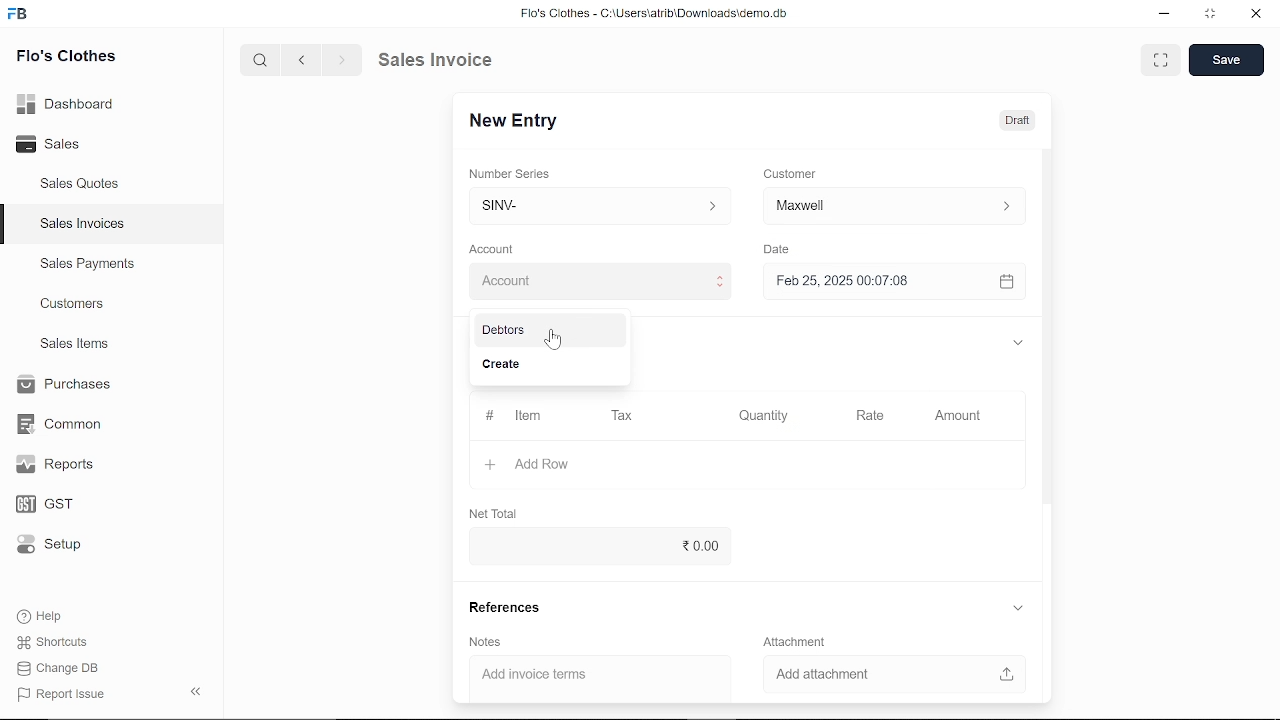  Describe the element at coordinates (342, 60) in the screenshot. I see `next` at that location.